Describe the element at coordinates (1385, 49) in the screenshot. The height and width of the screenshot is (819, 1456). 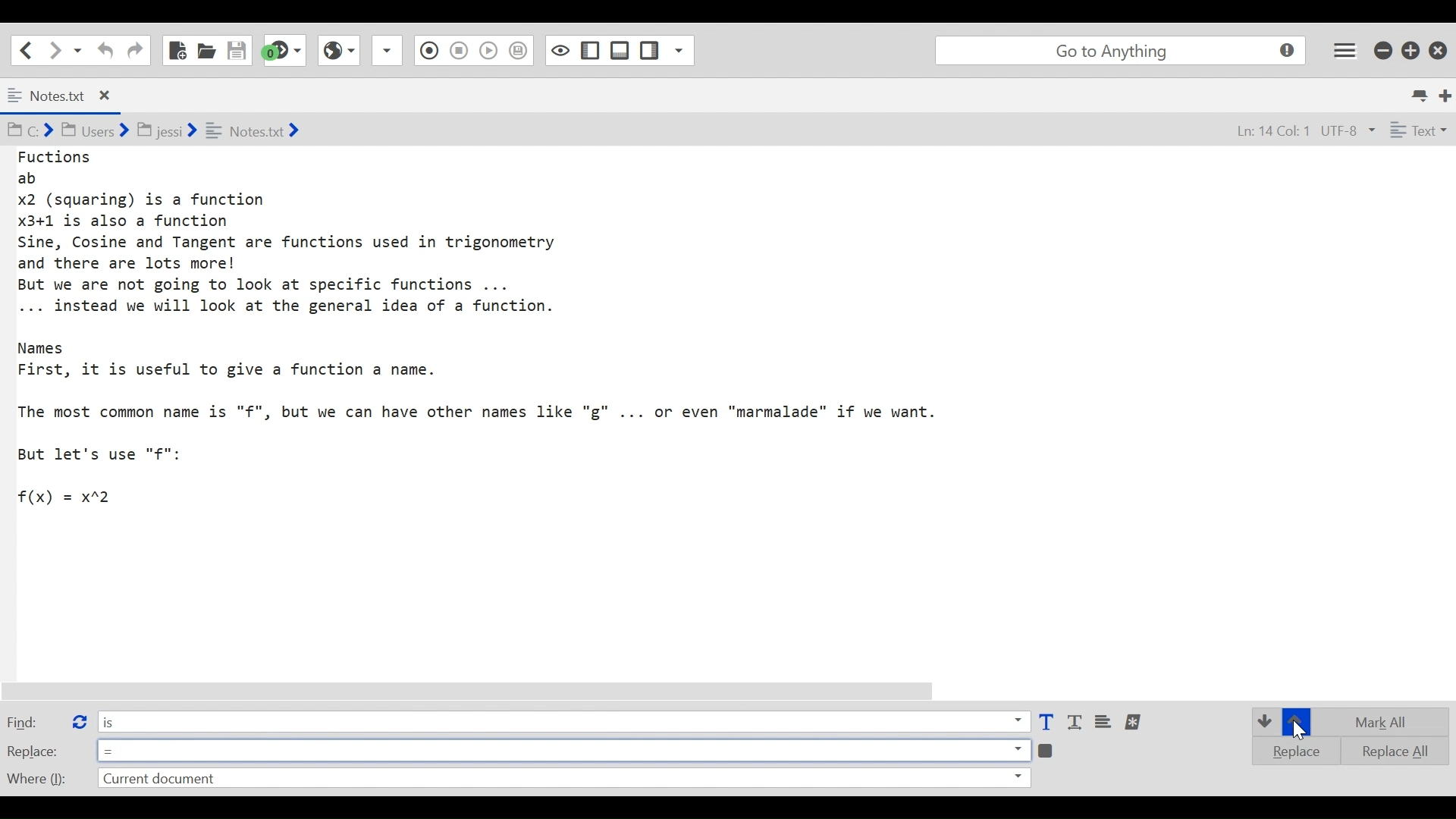
I see `minimize` at that location.